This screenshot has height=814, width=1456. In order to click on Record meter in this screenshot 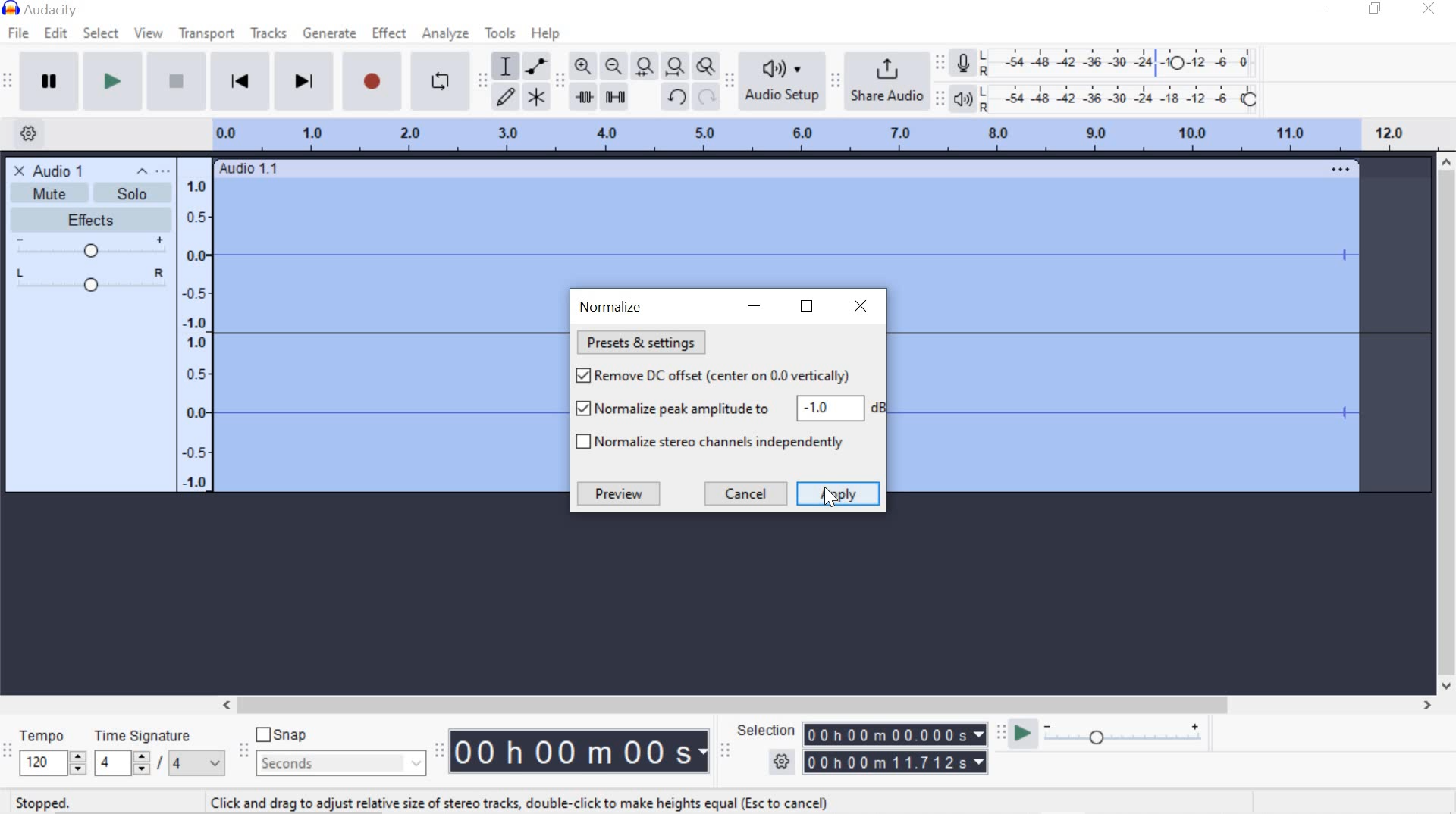, I will do `click(963, 61)`.